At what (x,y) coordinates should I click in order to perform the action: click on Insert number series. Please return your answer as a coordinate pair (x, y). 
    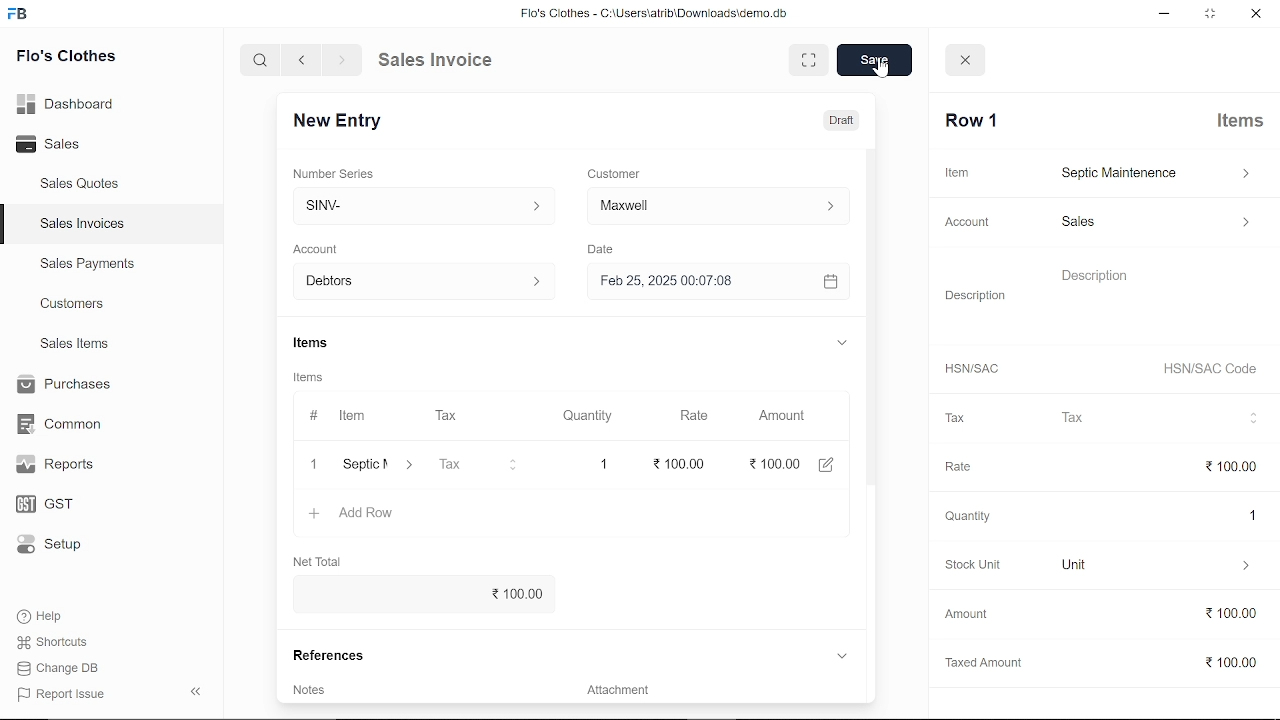
    Looking at the image, I should click on (415, 202).